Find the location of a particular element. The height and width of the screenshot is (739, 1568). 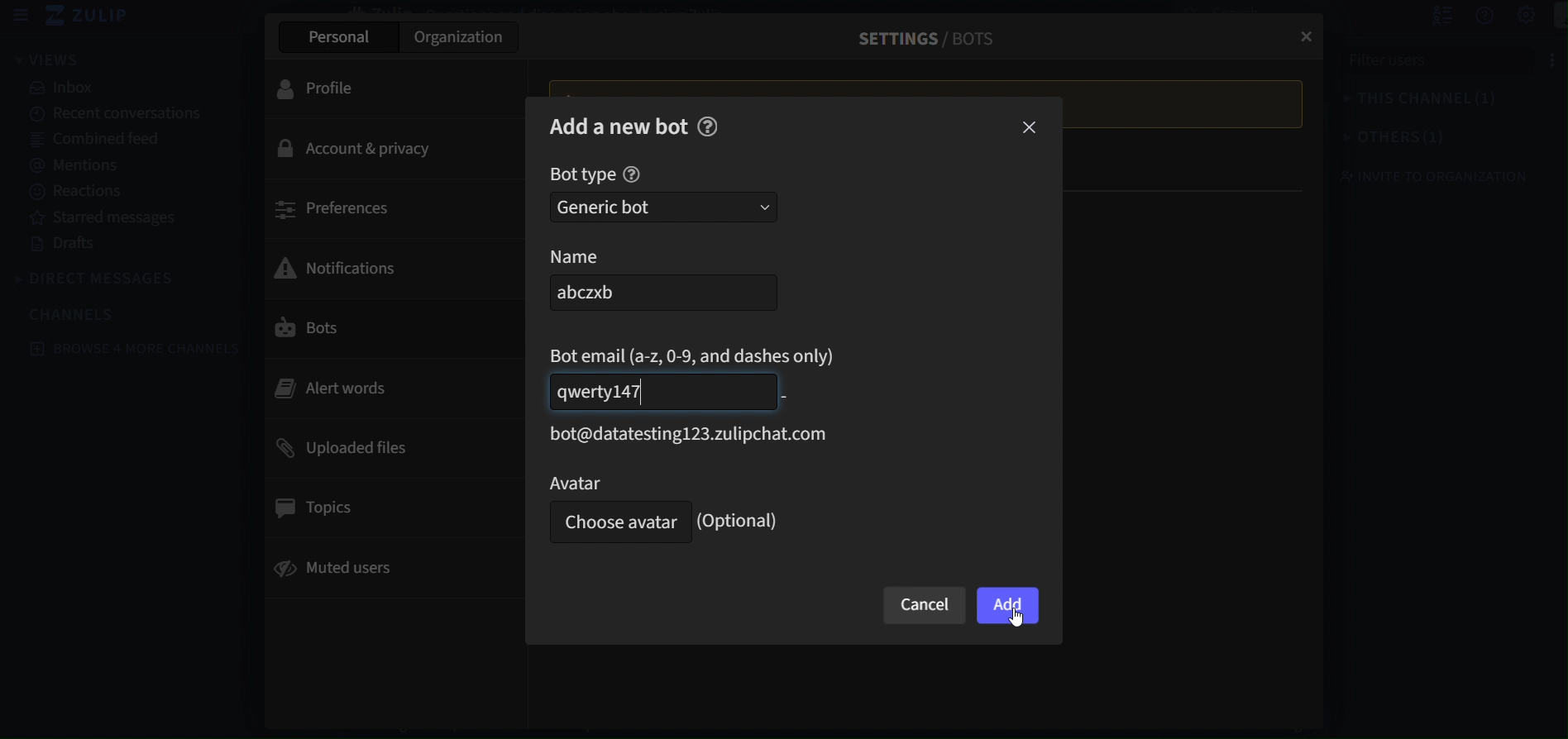

avatar is located at coordinates (614, 482).